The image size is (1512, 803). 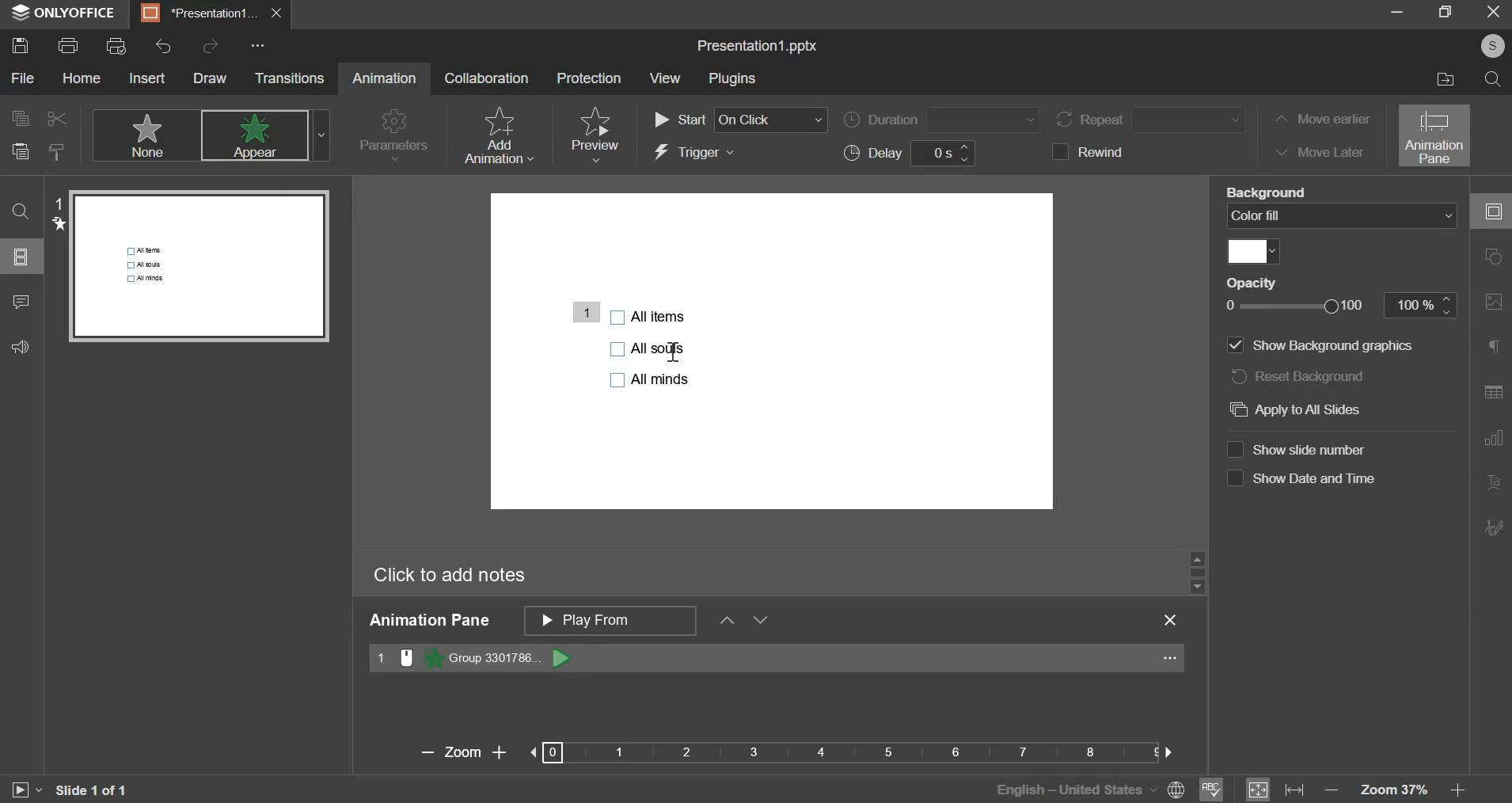 I want to click on draw, so click(x=210, y=78).